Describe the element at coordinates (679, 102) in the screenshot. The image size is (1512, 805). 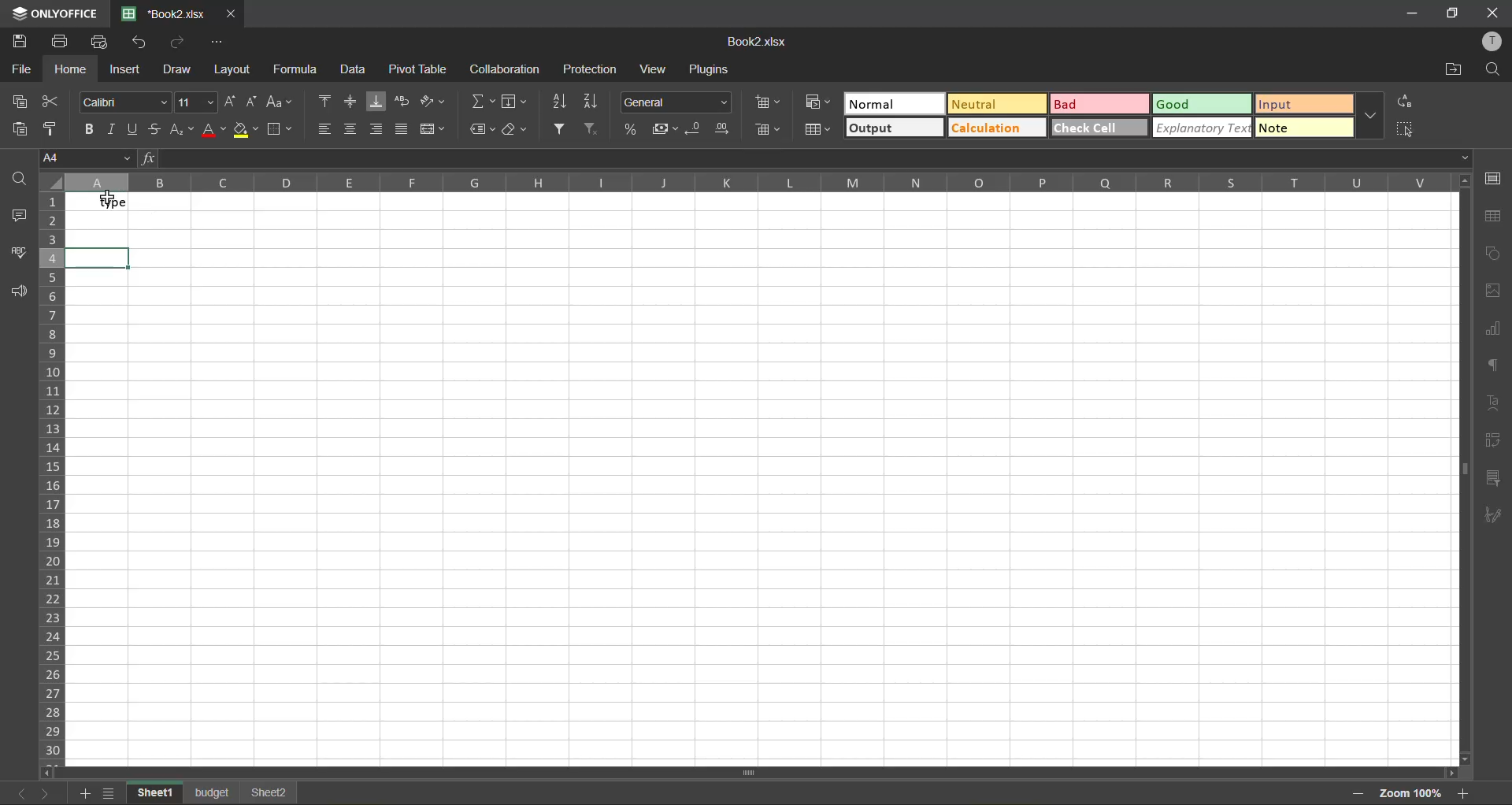
I see `number format` at that location.